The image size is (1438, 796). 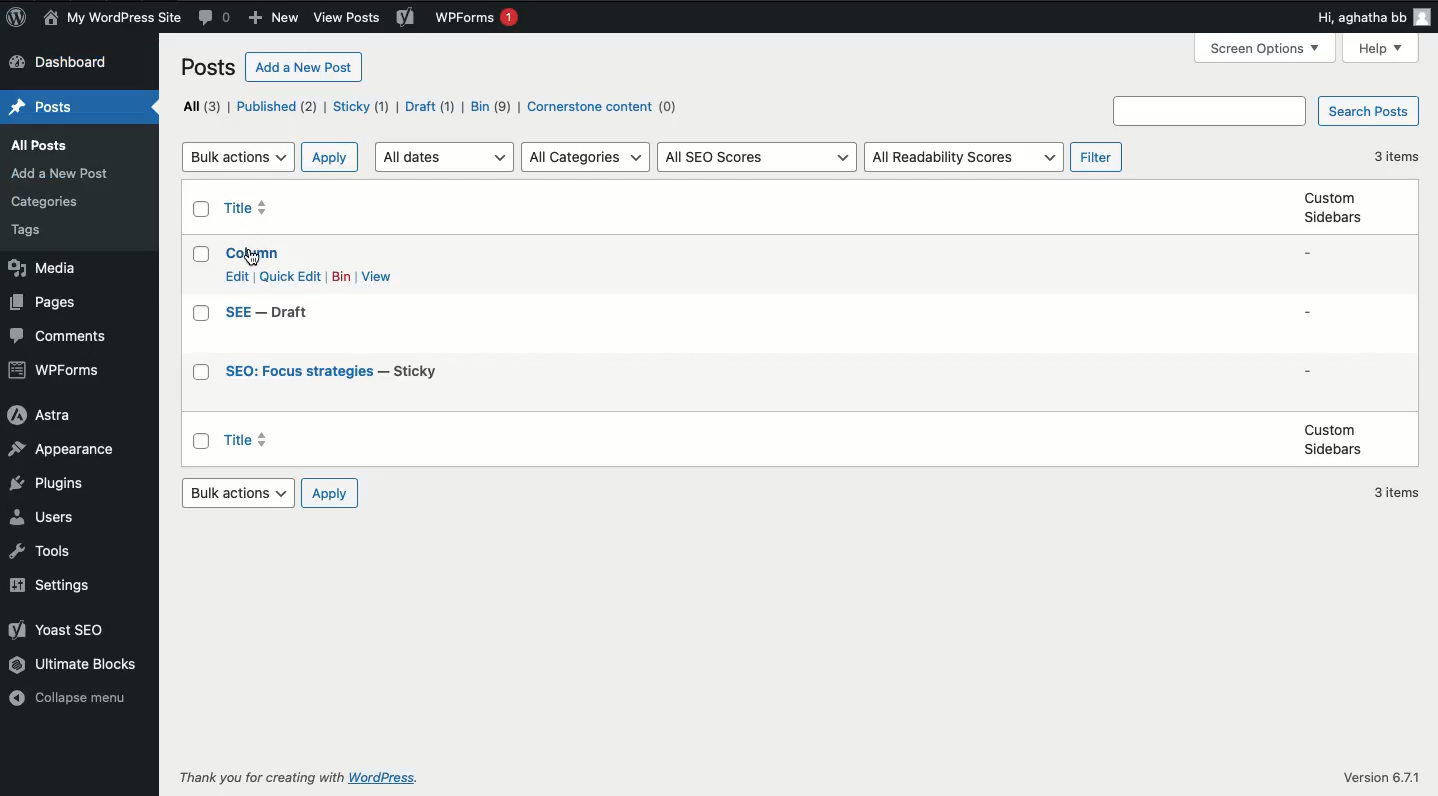 What do you see at coordinates (292, 278) in the screenshot?
I see `Quick edit` at bounding box center [292, 278].